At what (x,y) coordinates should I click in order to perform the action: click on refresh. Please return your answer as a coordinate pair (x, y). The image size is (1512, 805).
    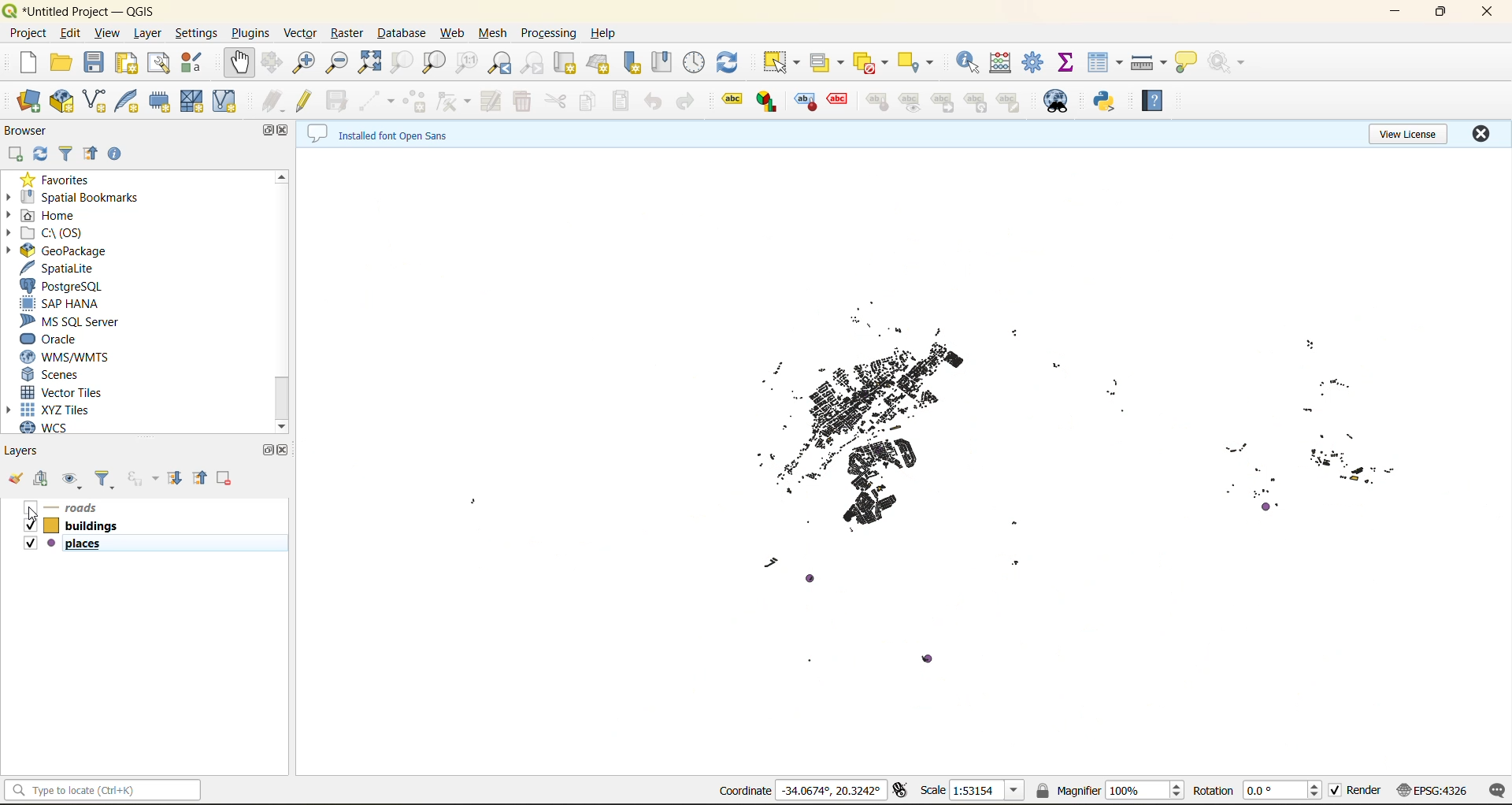
    Looking at the image, I should click on (43, 158).